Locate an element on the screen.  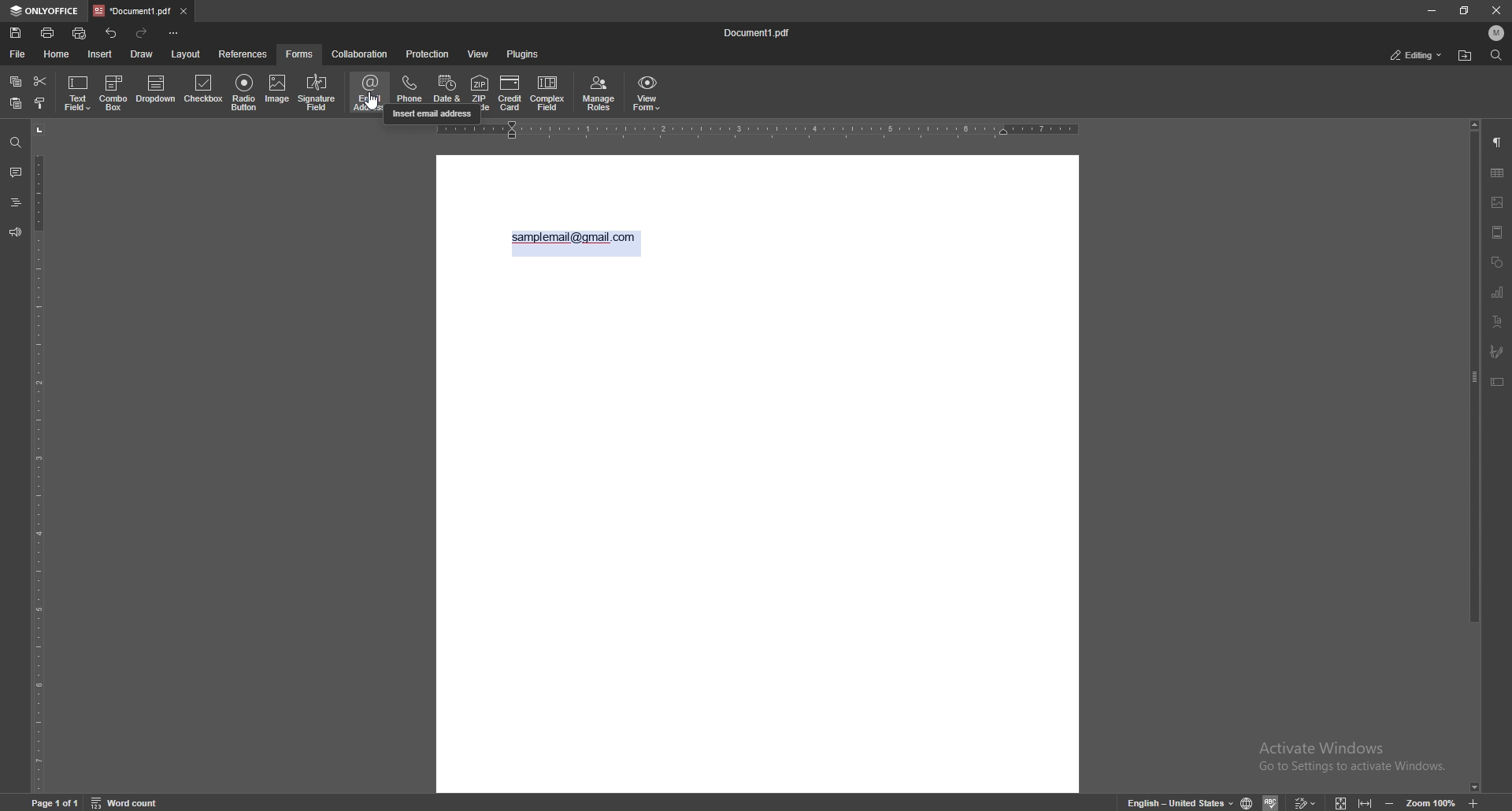
word count is located at coordinates (125, 802).